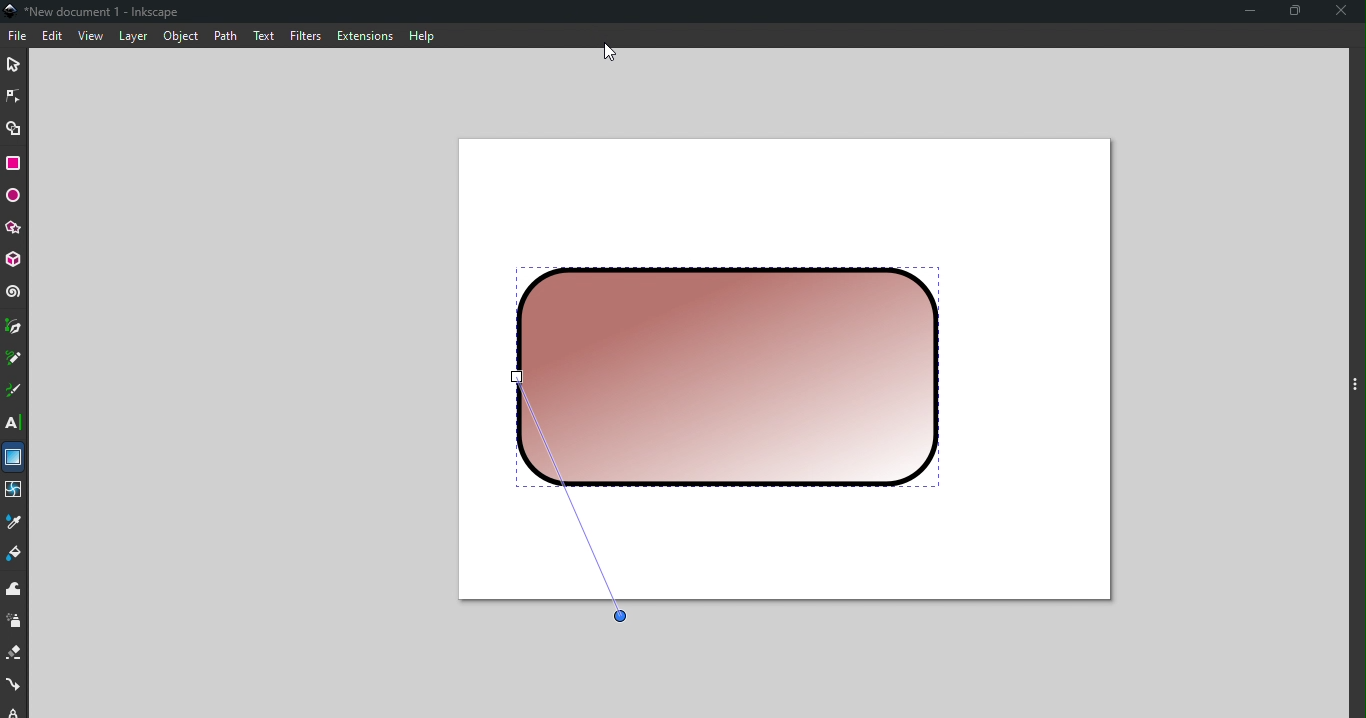 The image size is (1366, 718). What do you see at coordinates (579, 508) in the screenshot?
I see `arranging the direction of color gradient ` at bounding box center [579, 508].